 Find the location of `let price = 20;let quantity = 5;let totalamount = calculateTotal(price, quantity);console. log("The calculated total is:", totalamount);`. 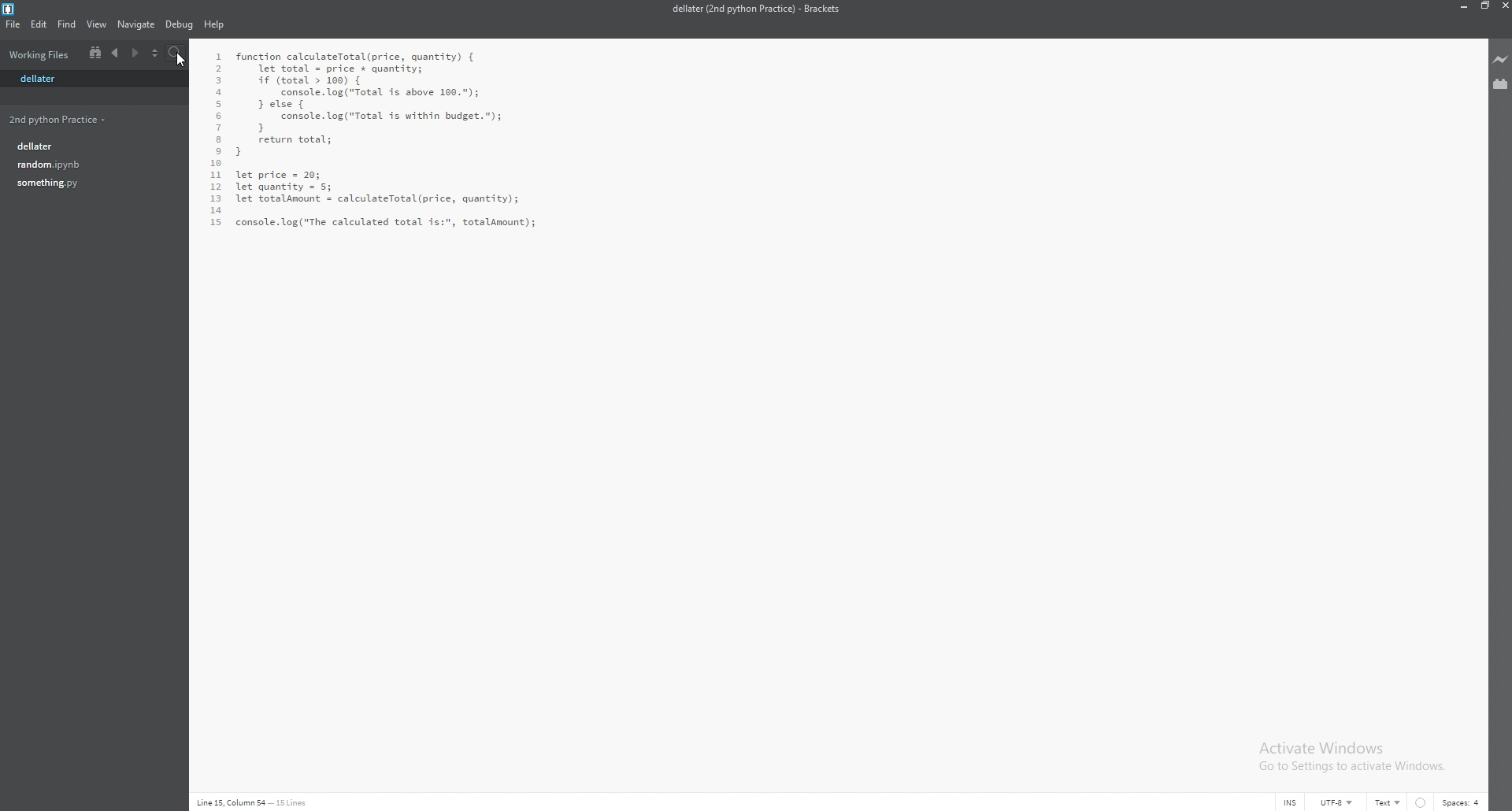

let price = 20;let quantity = 5;let totalamount = calculateTotal(price, quantity);console. log("The calculated total is:", totalamount); is located at coordinates (381, 198).